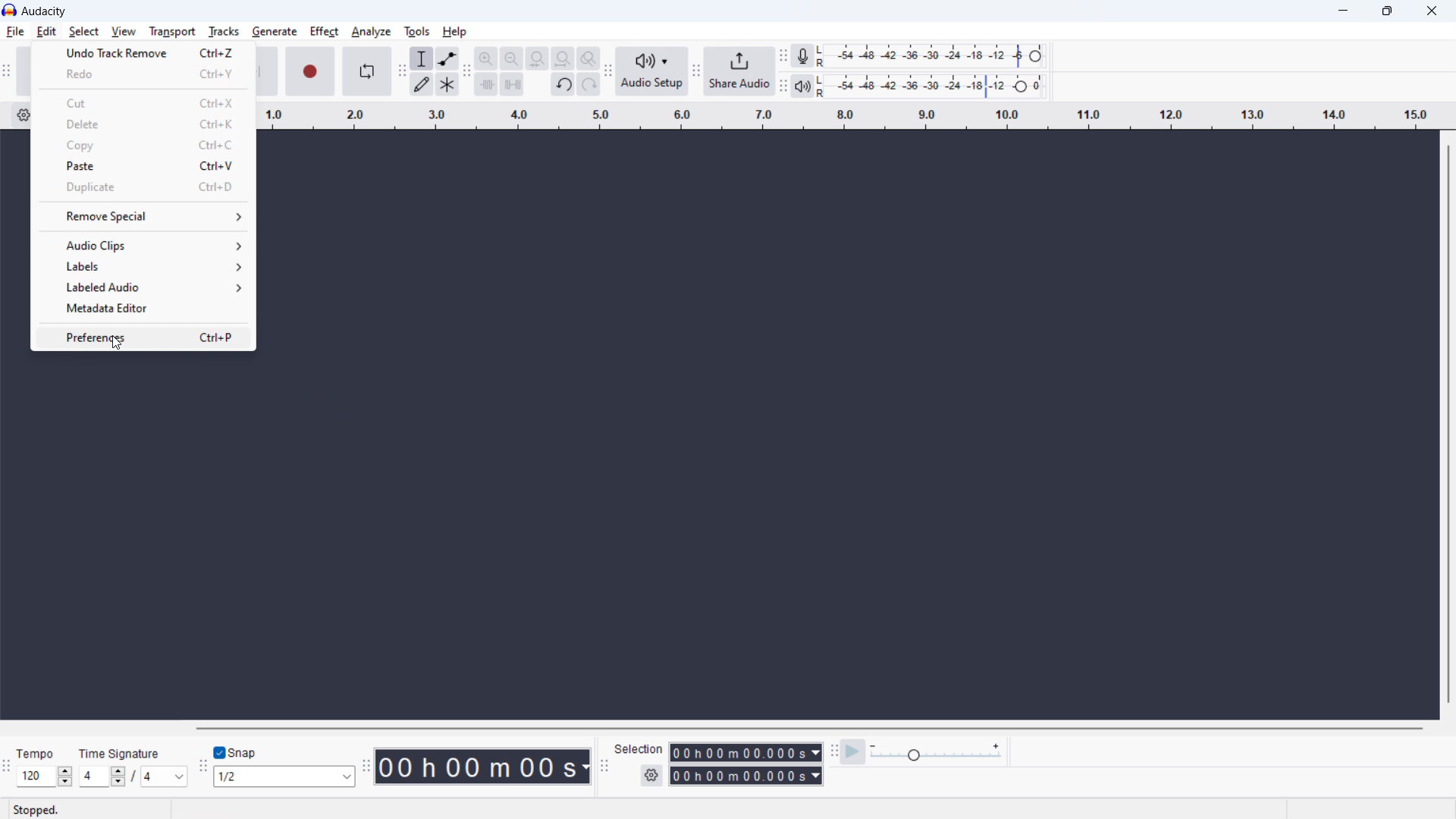  I want to click on minimize, so click(1341, 12).